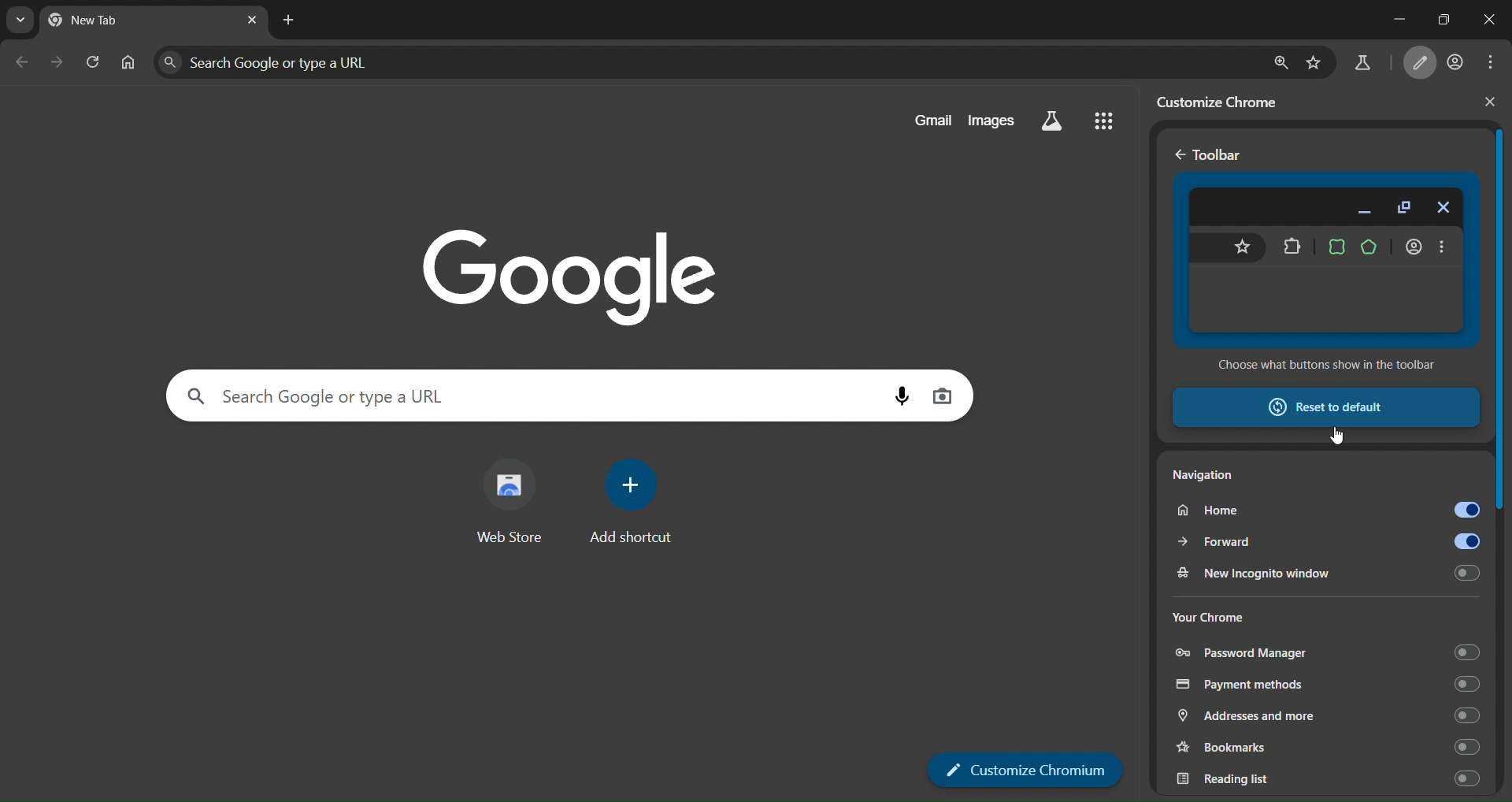  I want to click on zoom , so click(1281, 63).